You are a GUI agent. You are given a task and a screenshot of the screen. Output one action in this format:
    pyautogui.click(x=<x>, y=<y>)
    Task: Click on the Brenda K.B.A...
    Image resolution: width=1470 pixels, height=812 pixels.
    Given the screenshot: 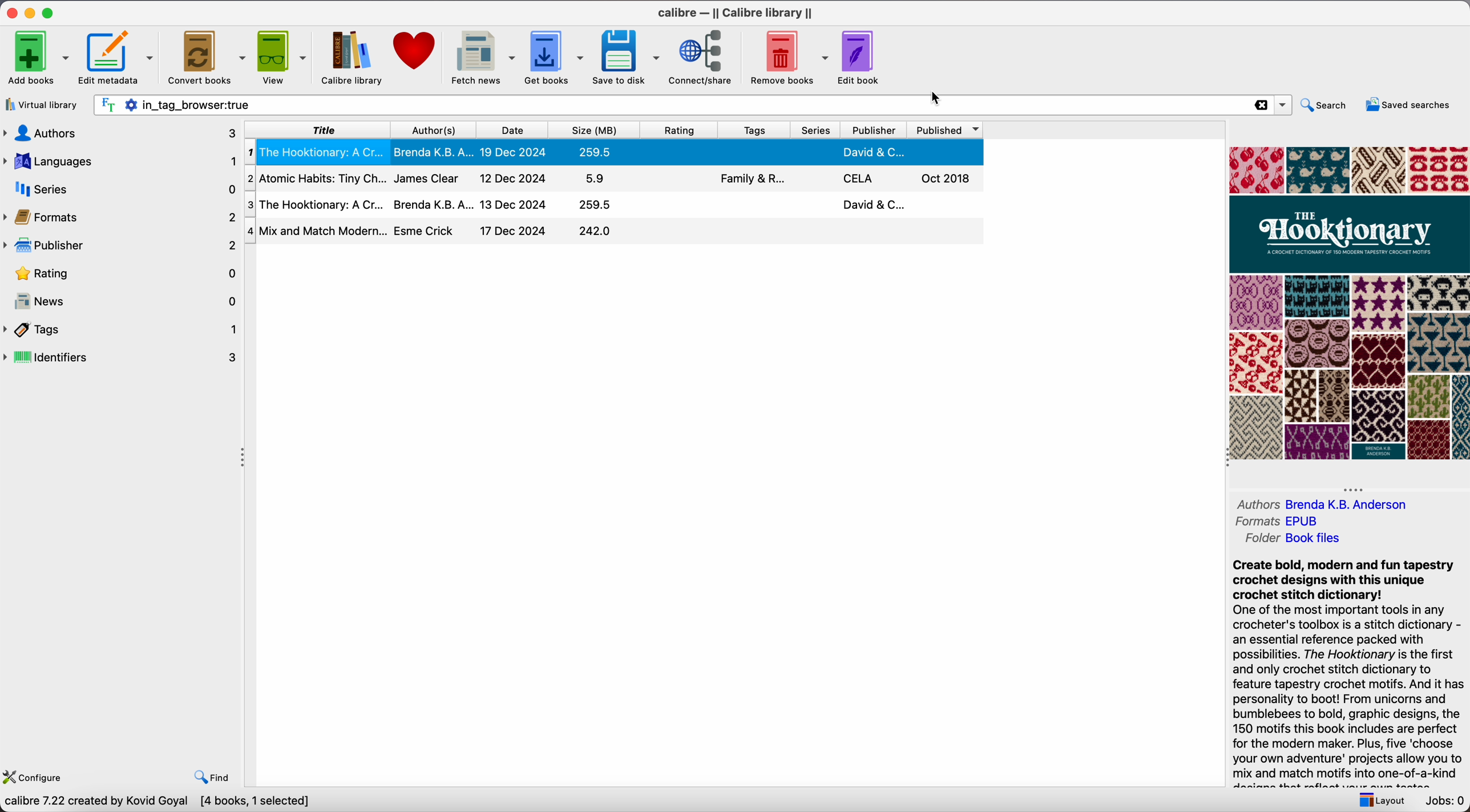 What is the action you would take?
    pyautogui.click(x=433, y=205)
    